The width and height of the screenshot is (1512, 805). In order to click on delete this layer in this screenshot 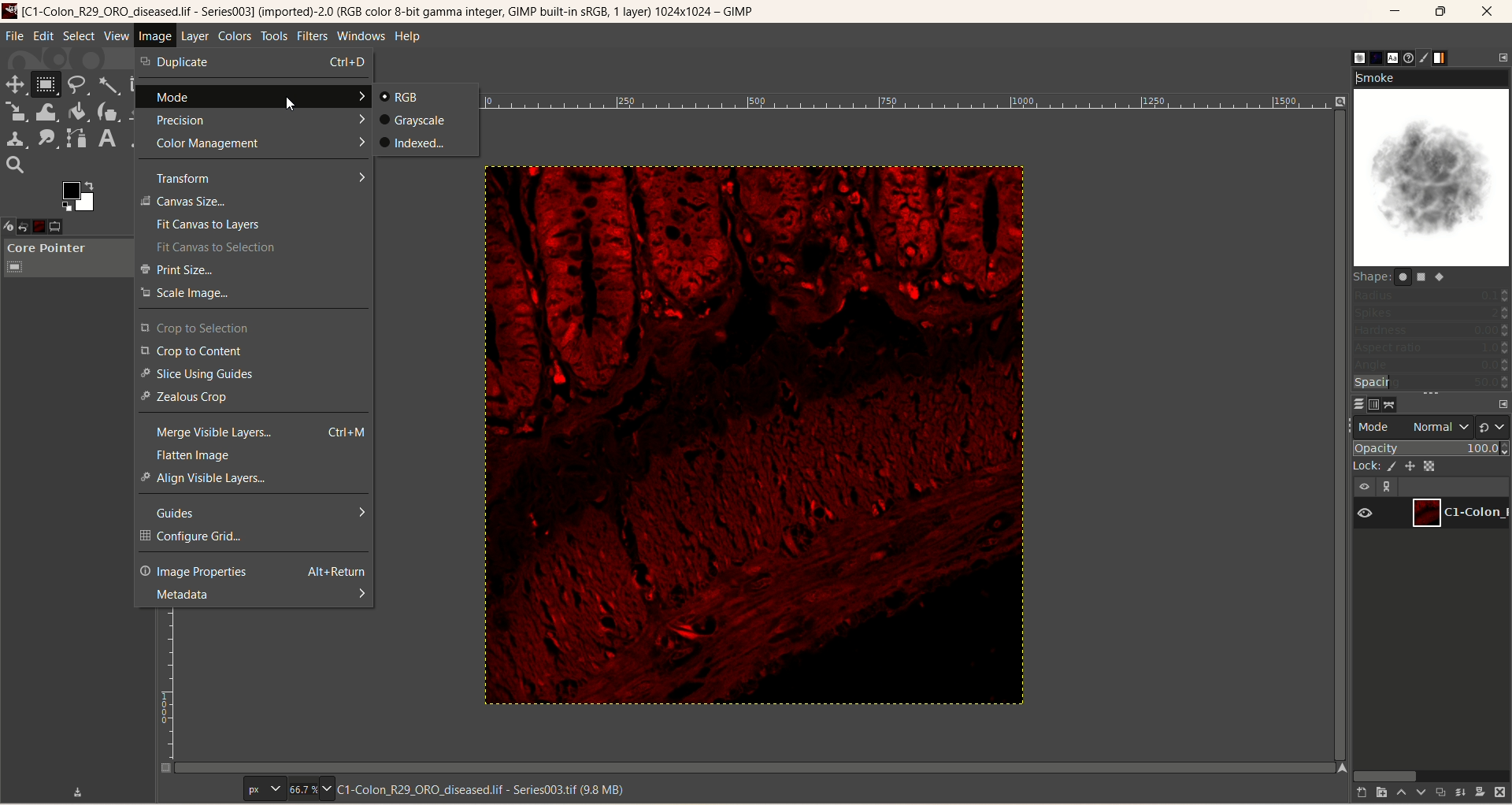, I will do `click(1499, 793)`.